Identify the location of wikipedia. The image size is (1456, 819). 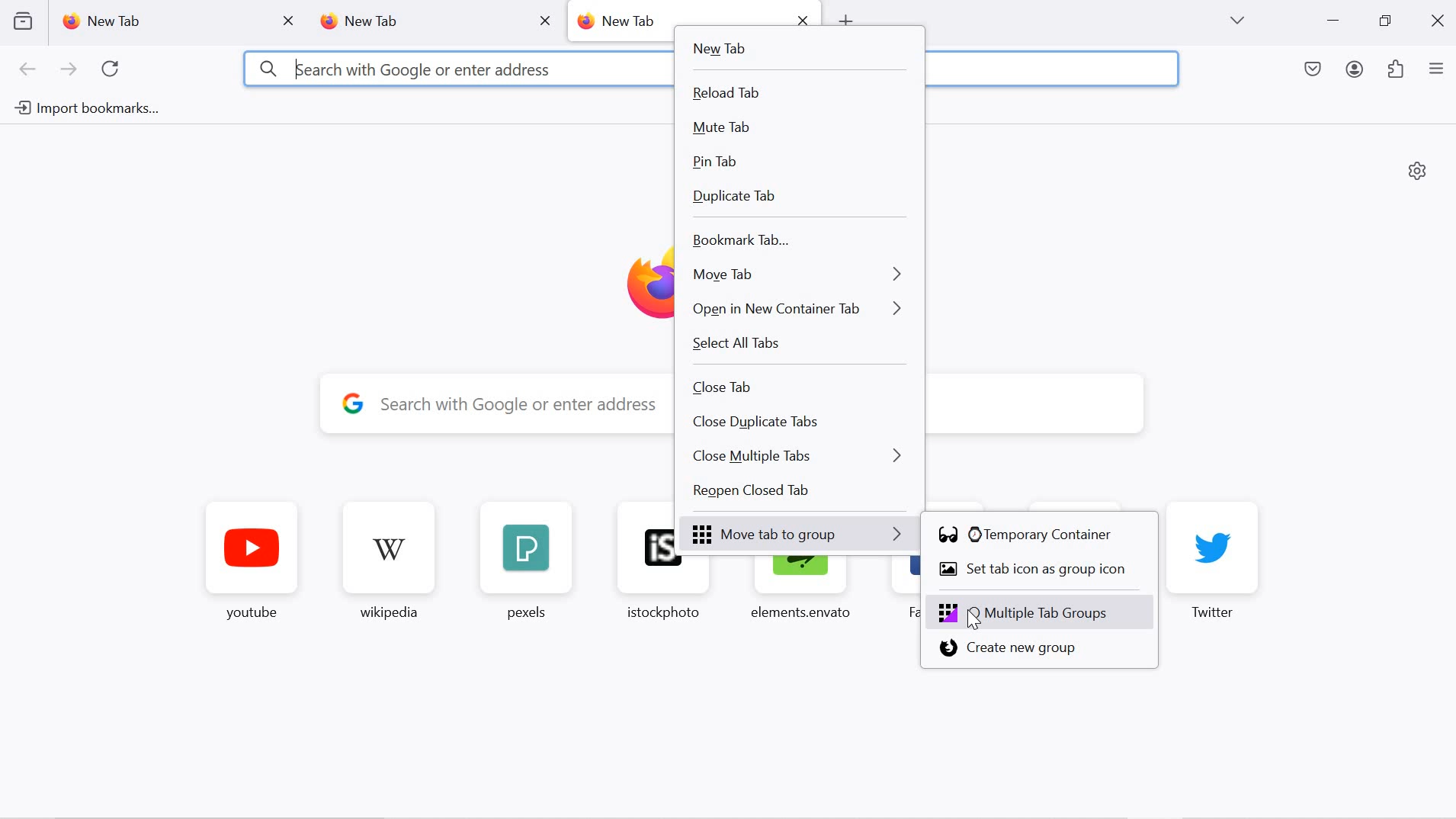
(386, 563).